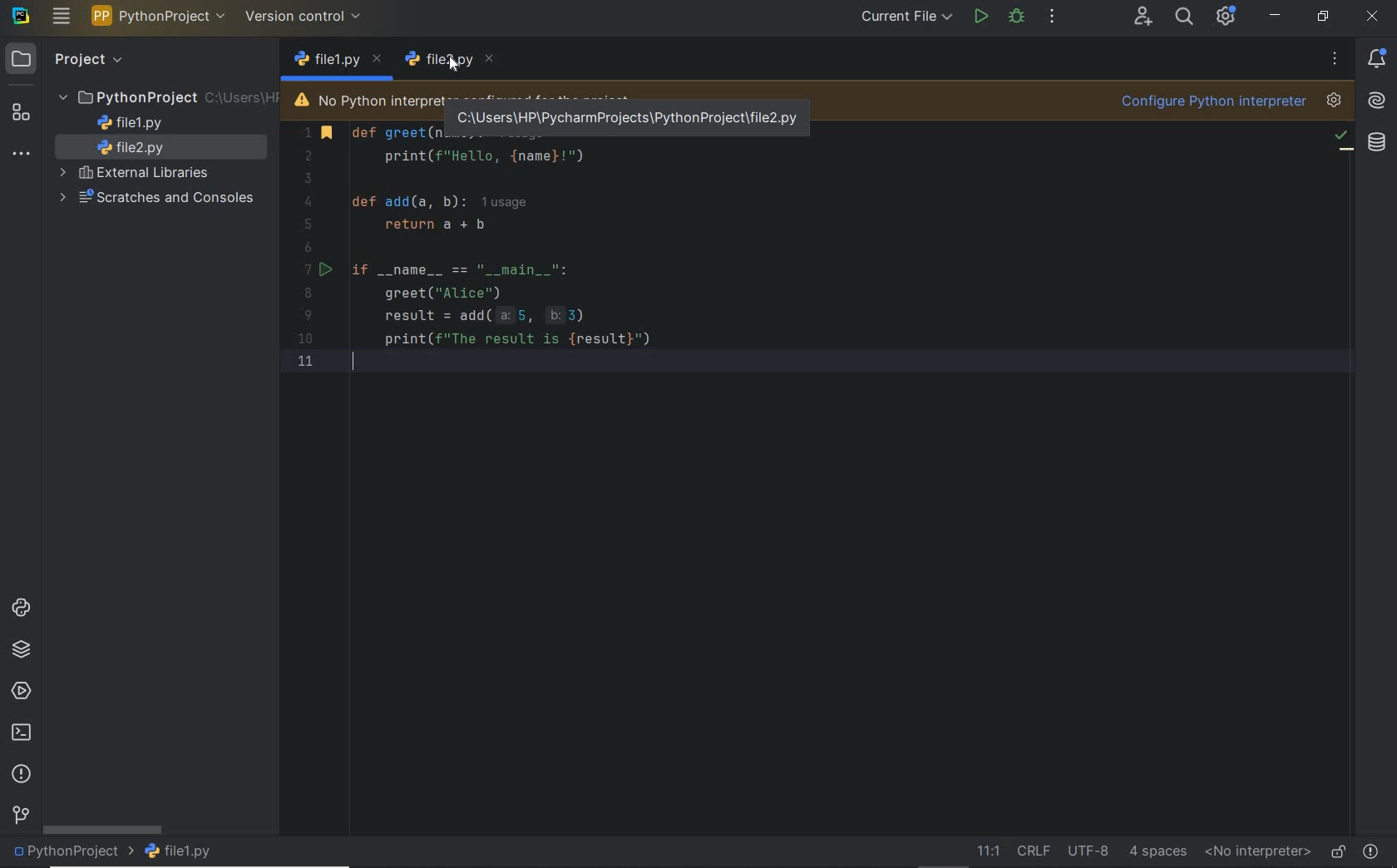 Image resolution: width=1397 pixels, height=868 pixels. I want to click on close, so click(490, 55).